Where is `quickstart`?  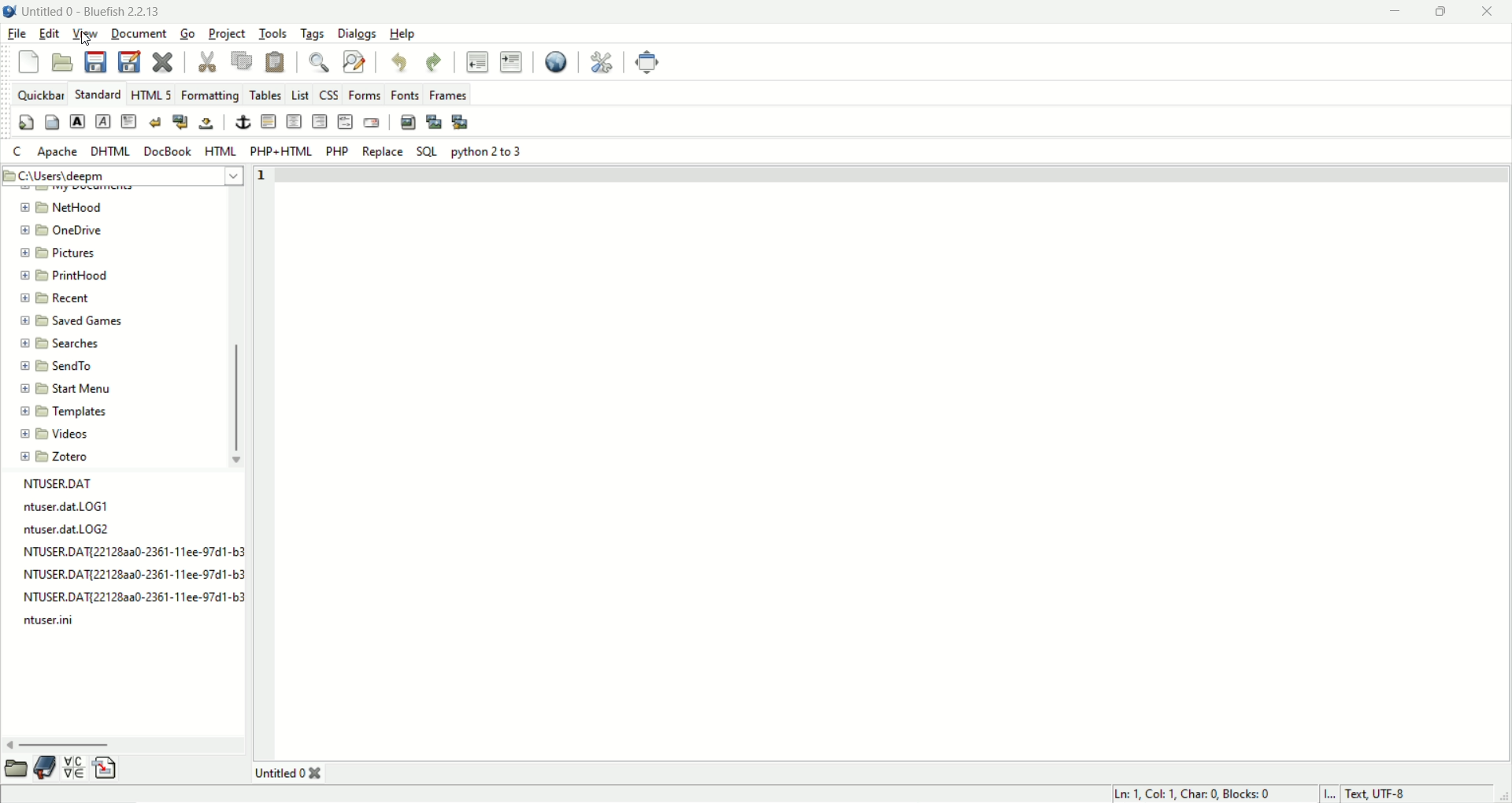
quickstart is located at coordinates (23, 124).